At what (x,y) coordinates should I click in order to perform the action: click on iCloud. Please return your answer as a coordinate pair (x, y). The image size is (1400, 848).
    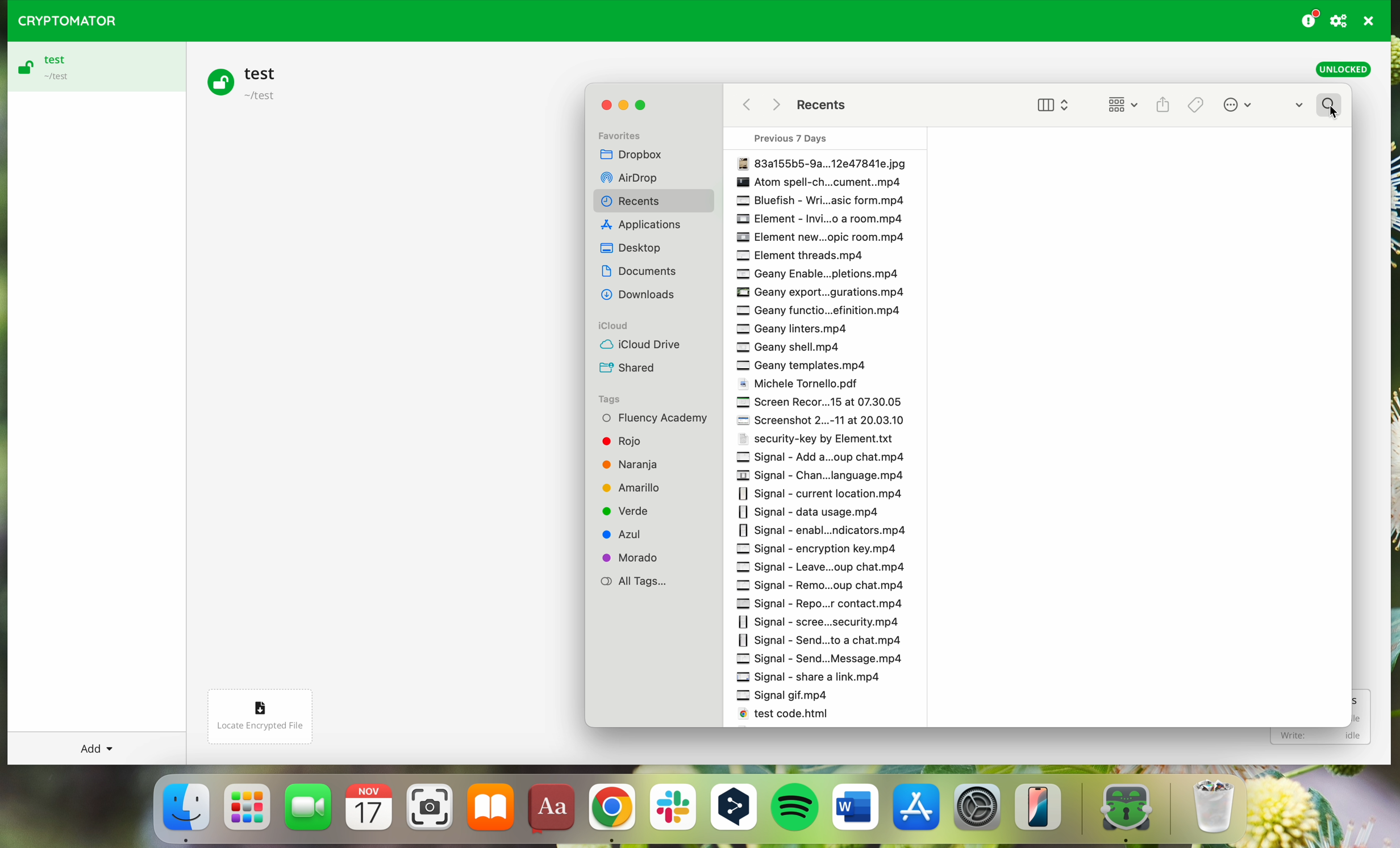
    Looking at the image, I should click on (619, 325).